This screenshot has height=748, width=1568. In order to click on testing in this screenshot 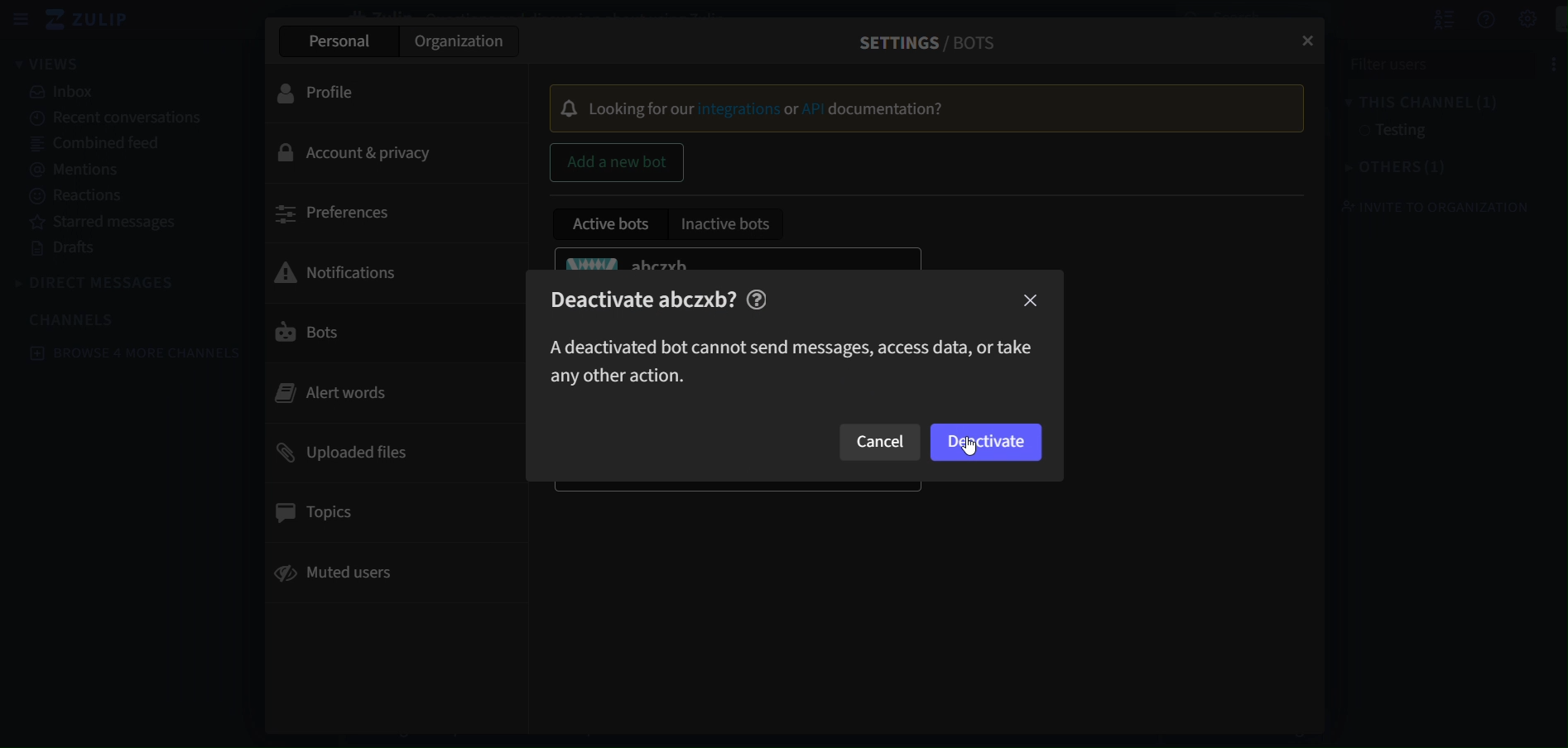, I will do `click(1374, 132)`.